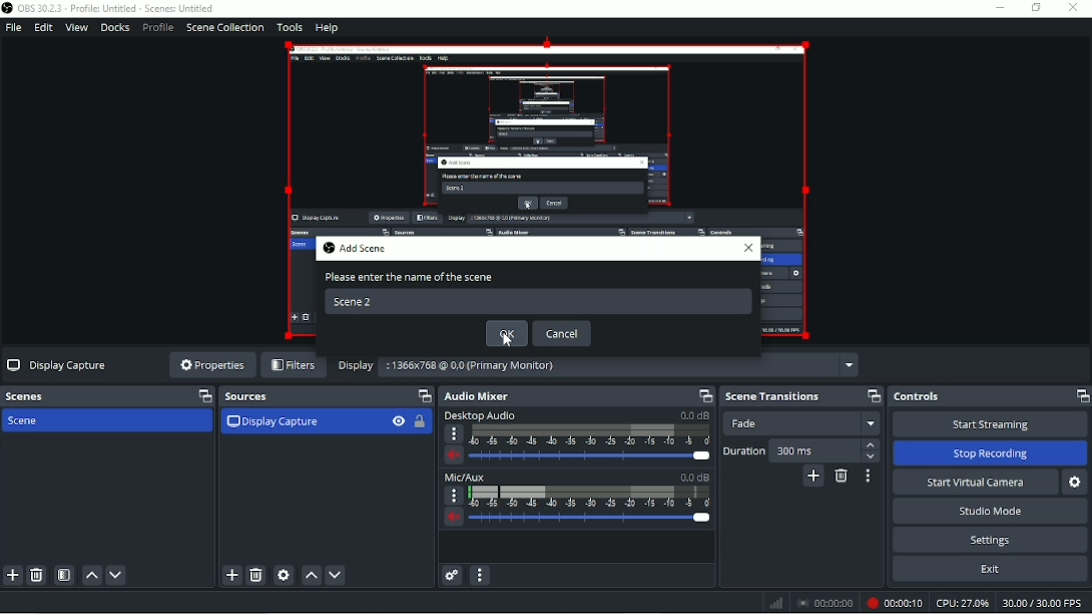 The height and width of the screenshot is (614, 1092). I want to click on Add configurable transition, so click(814, 478).